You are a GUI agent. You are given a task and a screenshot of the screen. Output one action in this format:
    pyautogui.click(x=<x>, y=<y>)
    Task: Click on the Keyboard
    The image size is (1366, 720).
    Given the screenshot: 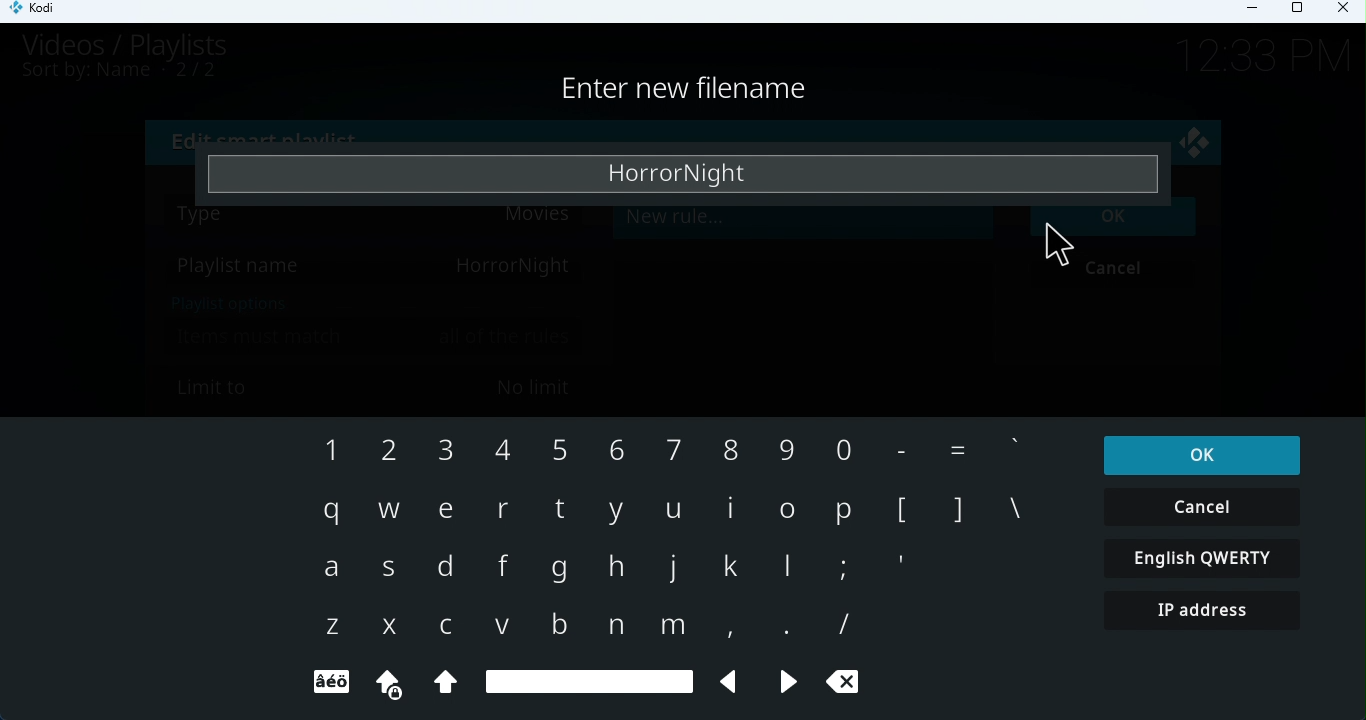 What is the action you would take?
    pyautogui.click(x=674, y=564)
    